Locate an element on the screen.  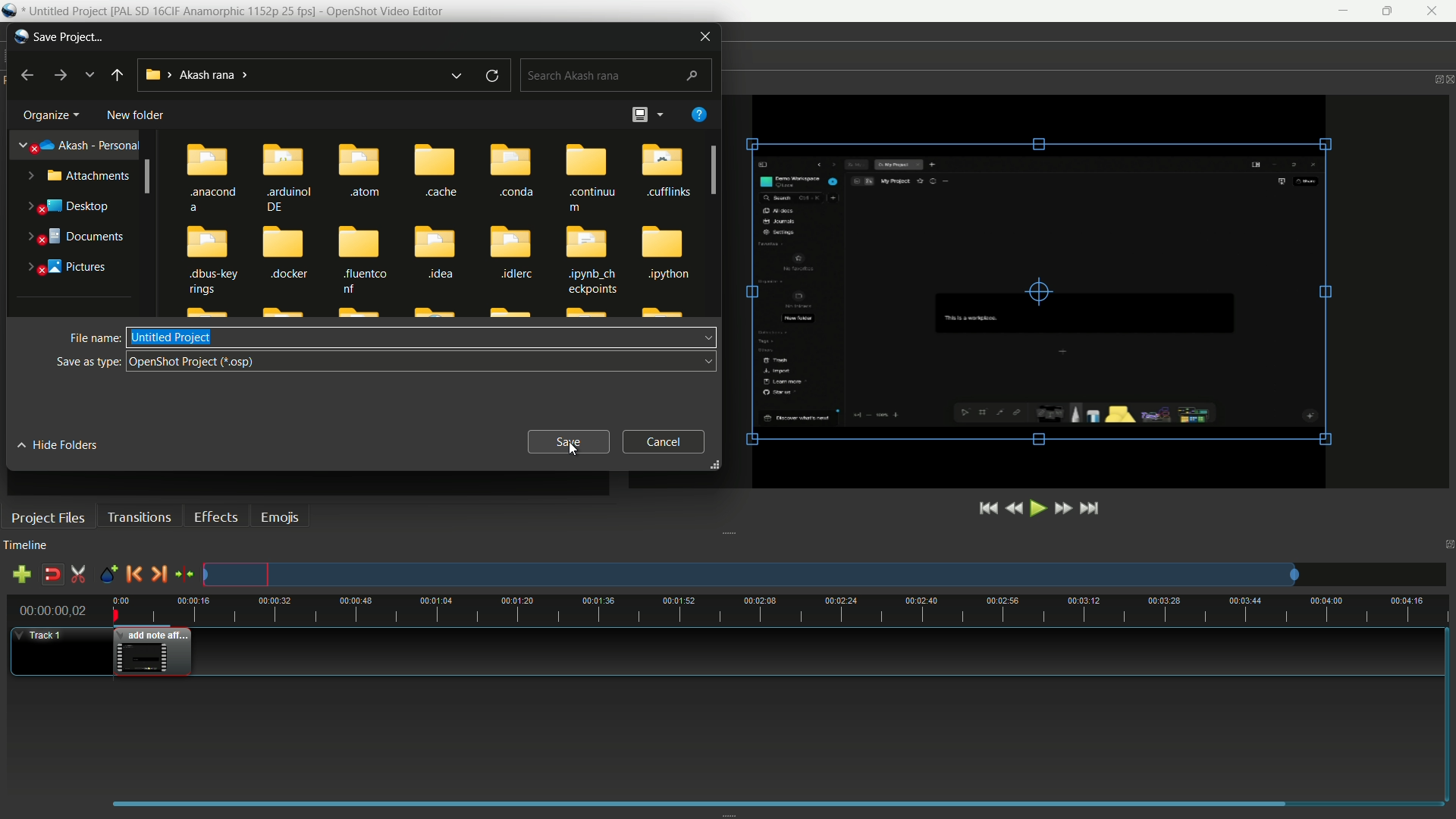
center the timeline on the playhead is located at coordinates (185, 575).